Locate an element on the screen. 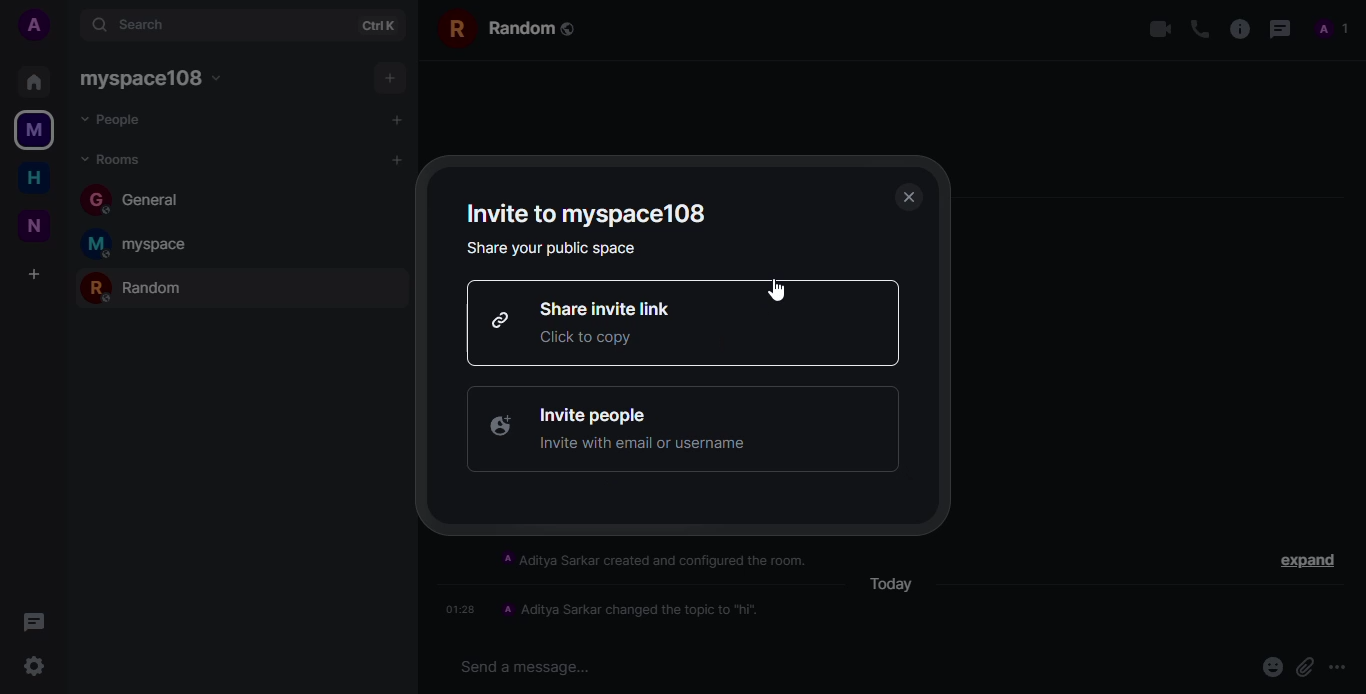  people is located at coordinates (127, 118).